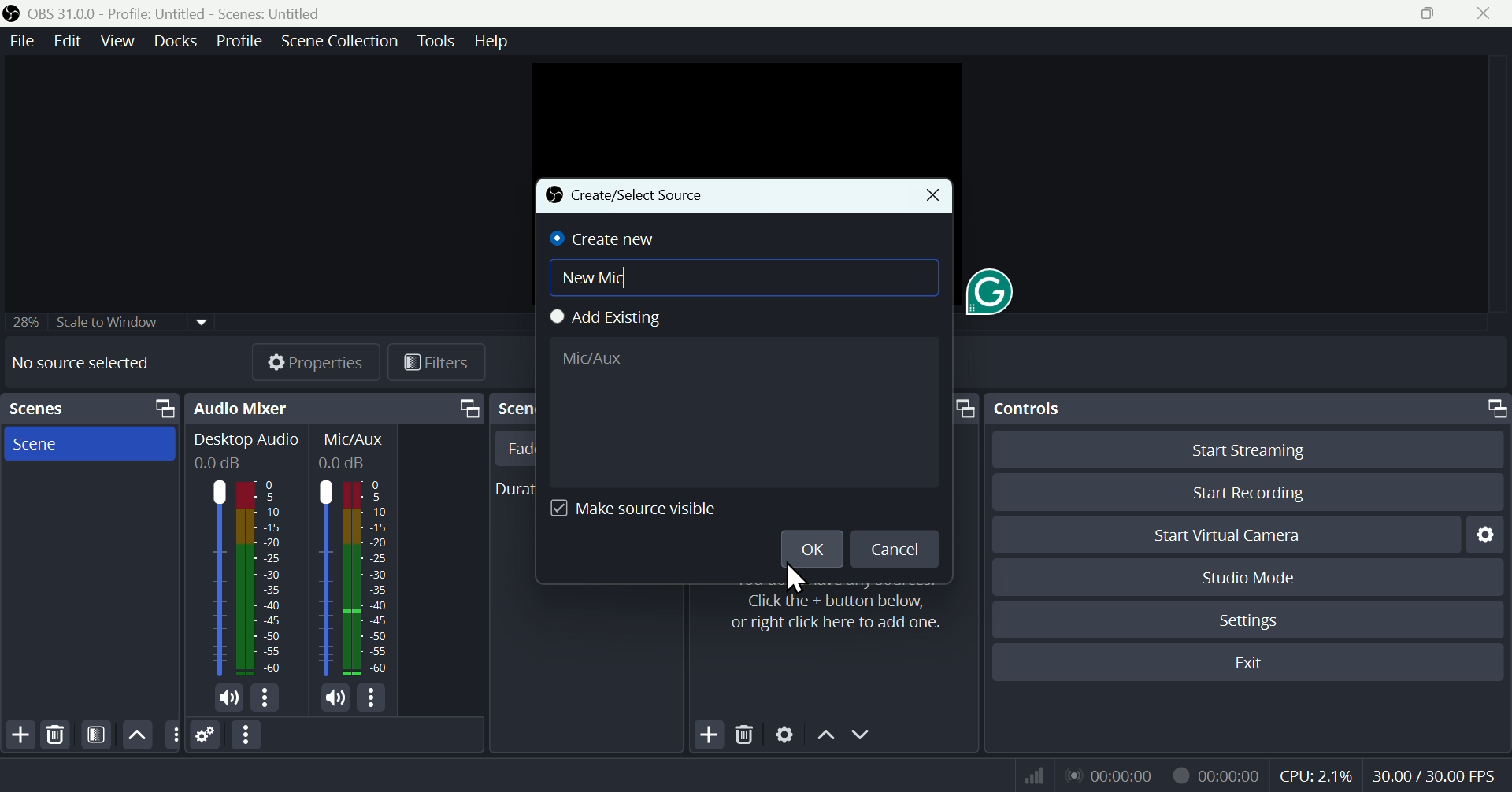 This screenshot has height=792, width=1512. Describe the element at coordinates (246, 441) in the screenshot. I see `Desktop Audio` at that location.